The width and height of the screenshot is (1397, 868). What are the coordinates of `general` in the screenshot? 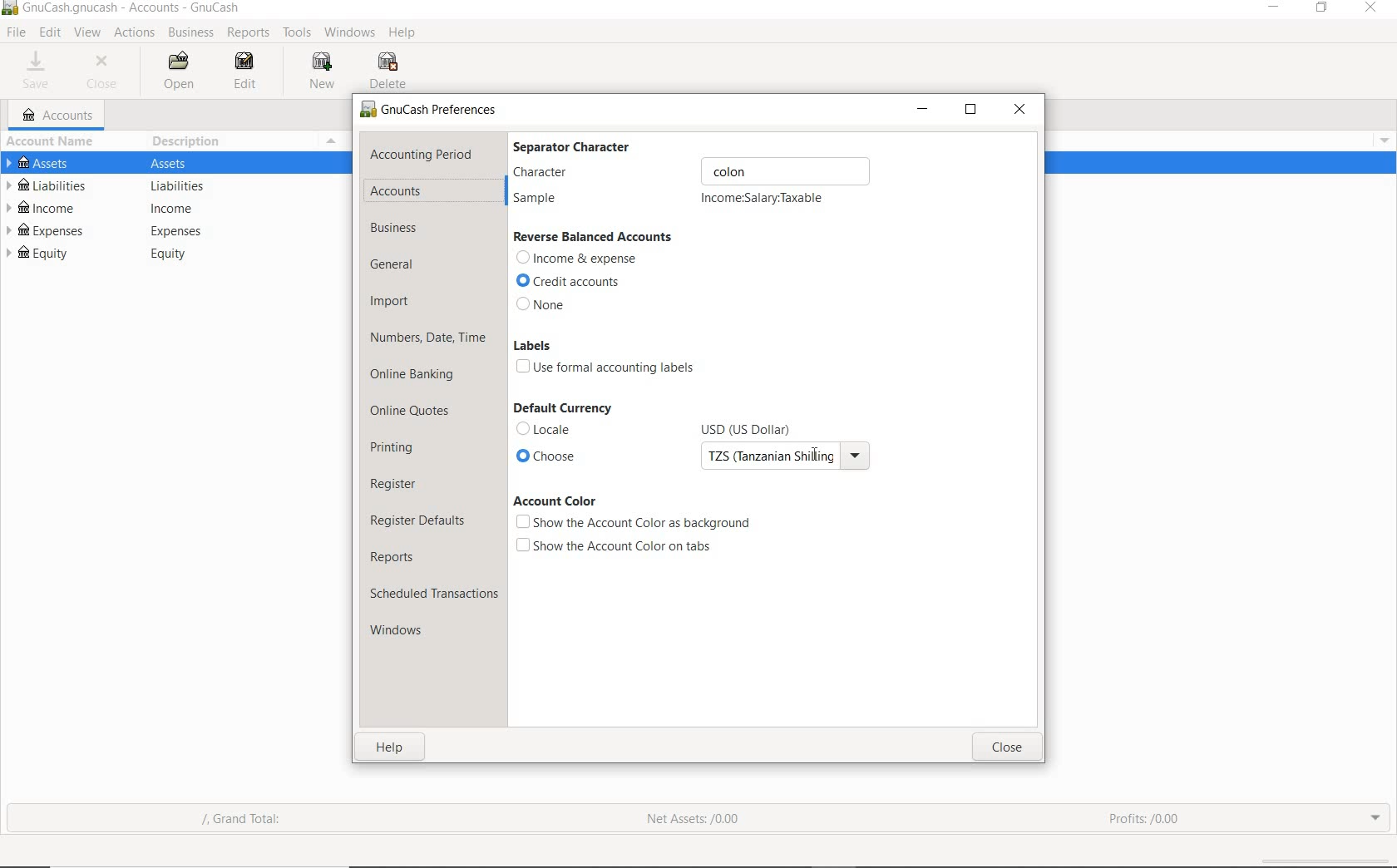 It's located at (398, 265).